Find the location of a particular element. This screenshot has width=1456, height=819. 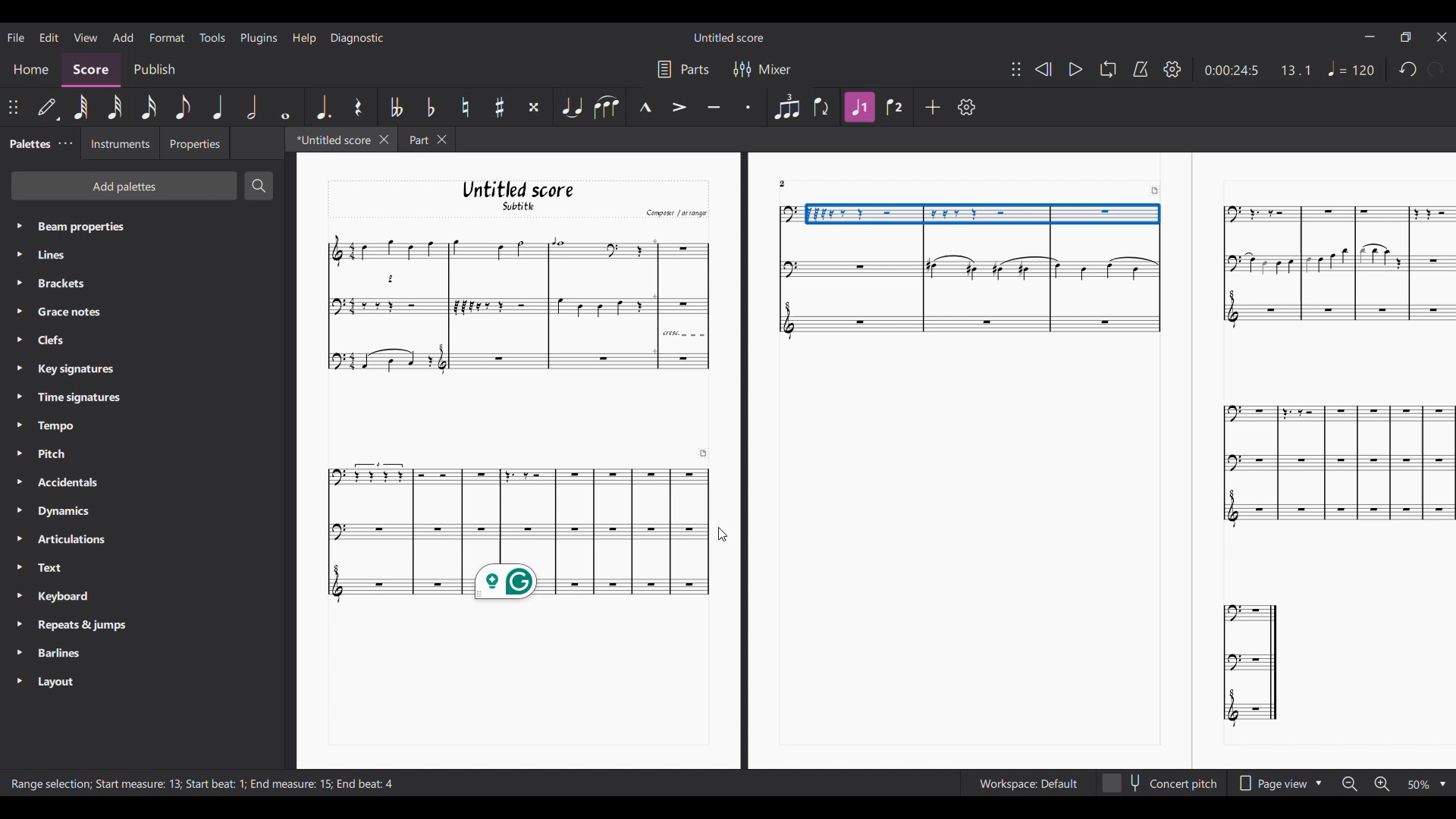

Score  is located at coordinates (91, 71).